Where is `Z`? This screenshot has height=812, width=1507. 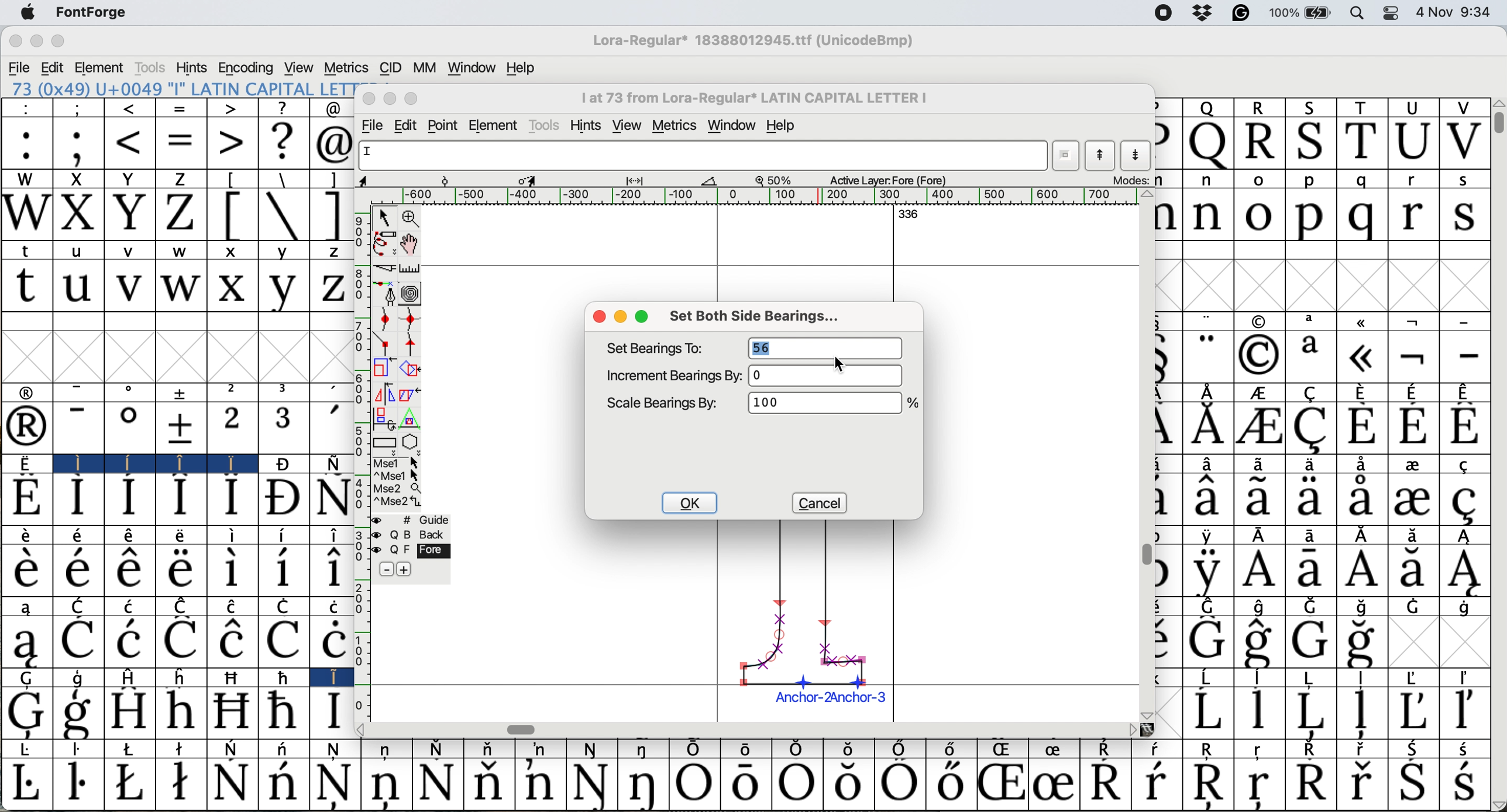 Z is located at coordinates (178, 179).